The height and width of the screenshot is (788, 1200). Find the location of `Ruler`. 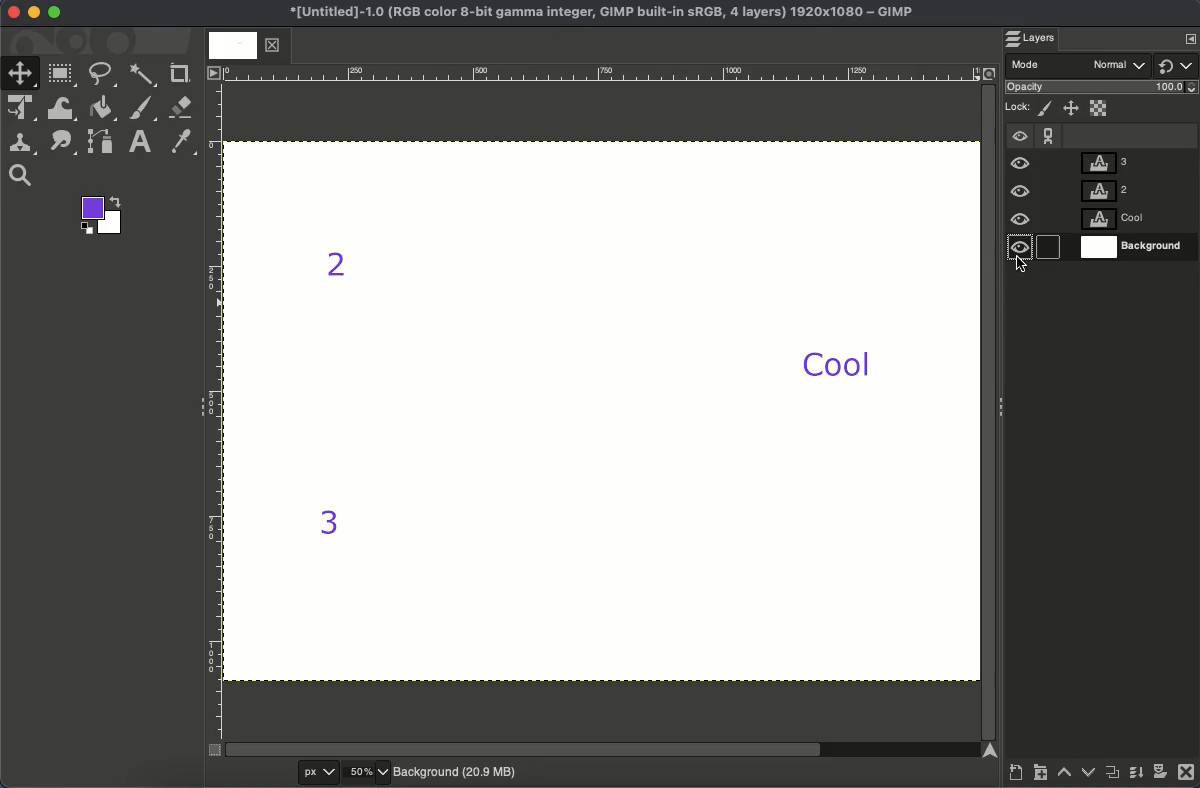

Ruler is located at coordinates (601, 73).